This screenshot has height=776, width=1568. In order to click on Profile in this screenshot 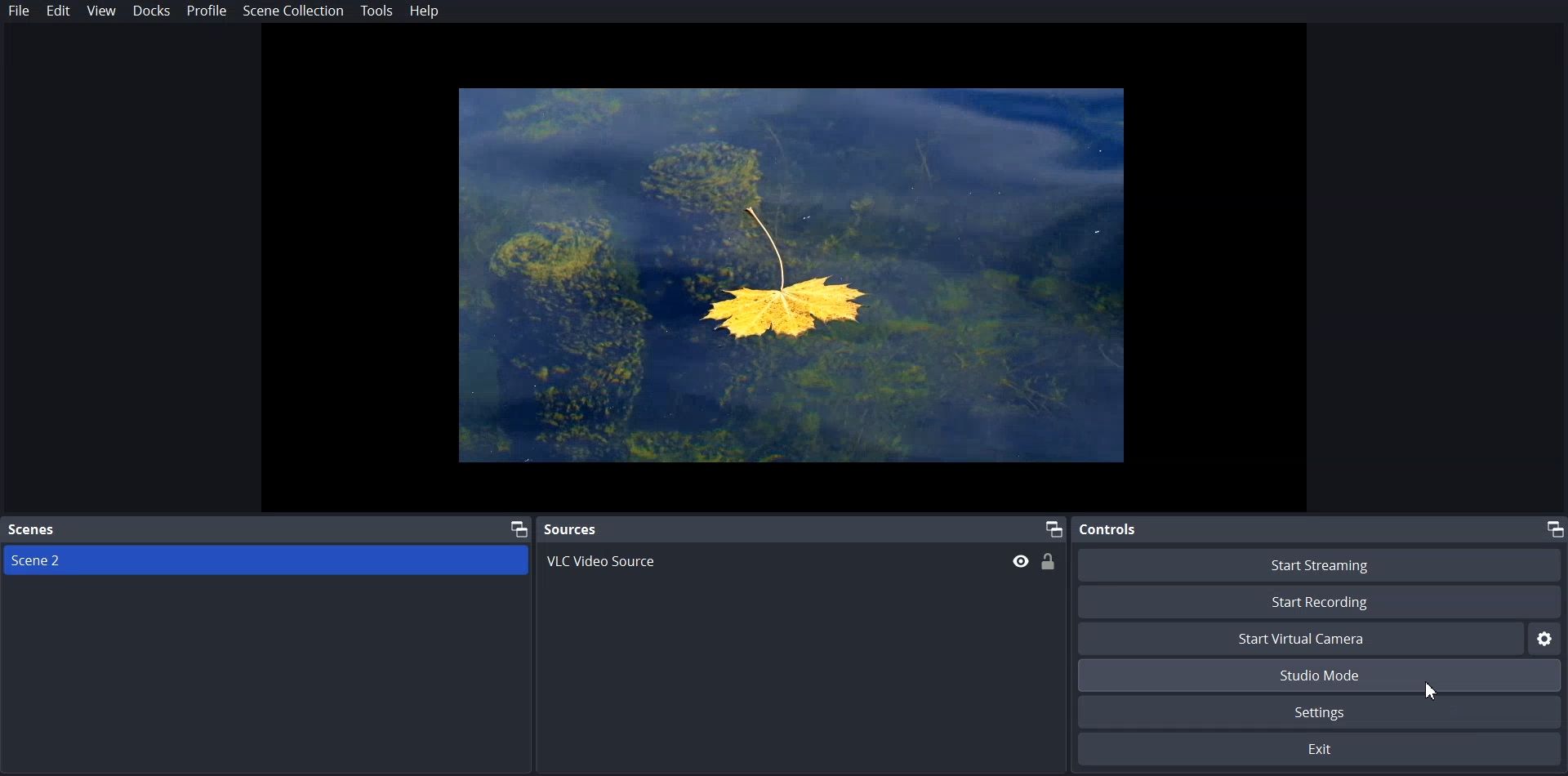, I will do `click(207, 11)`.